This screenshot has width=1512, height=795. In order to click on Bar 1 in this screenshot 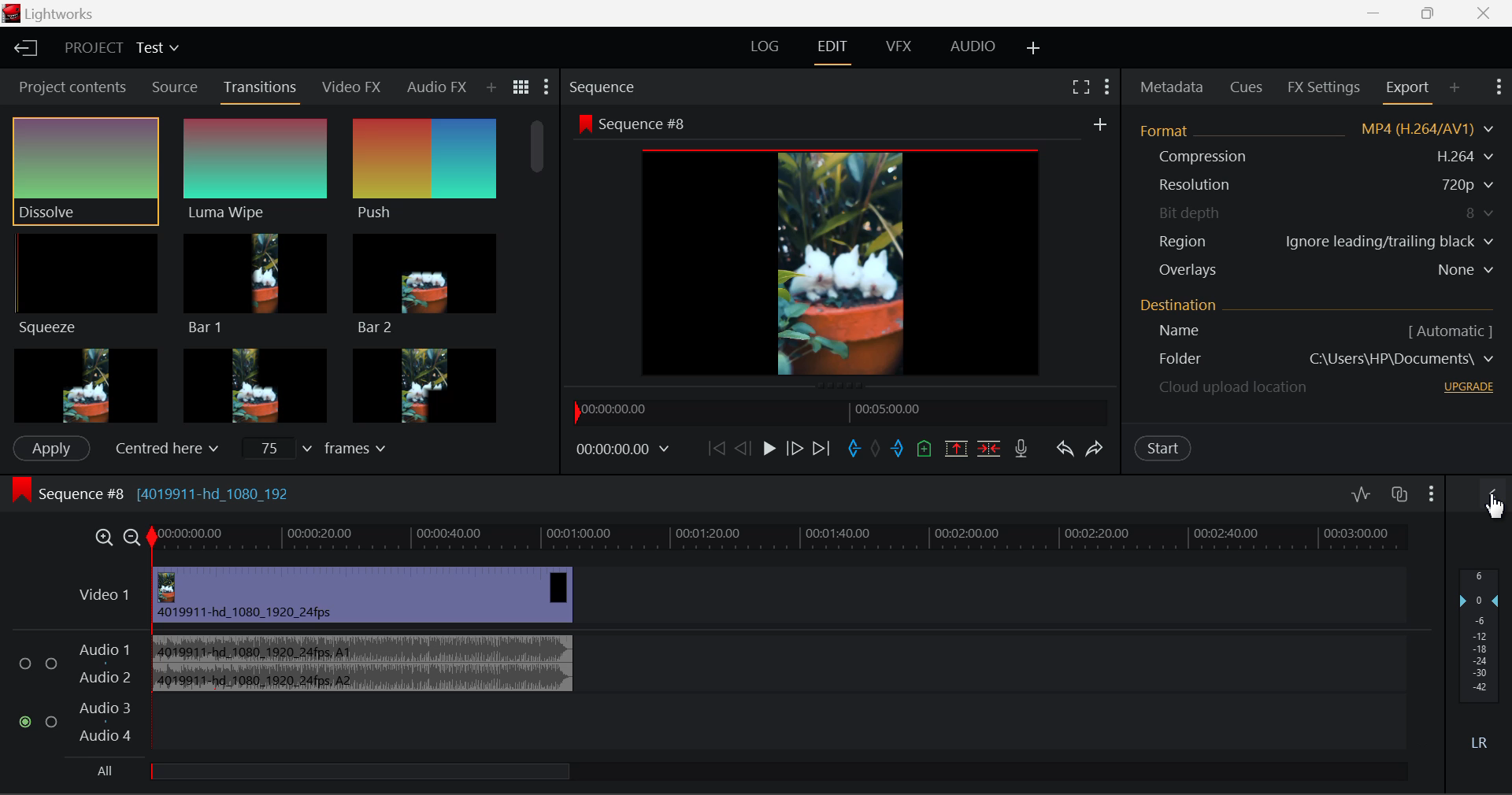, I will do `click(256, 284)`.